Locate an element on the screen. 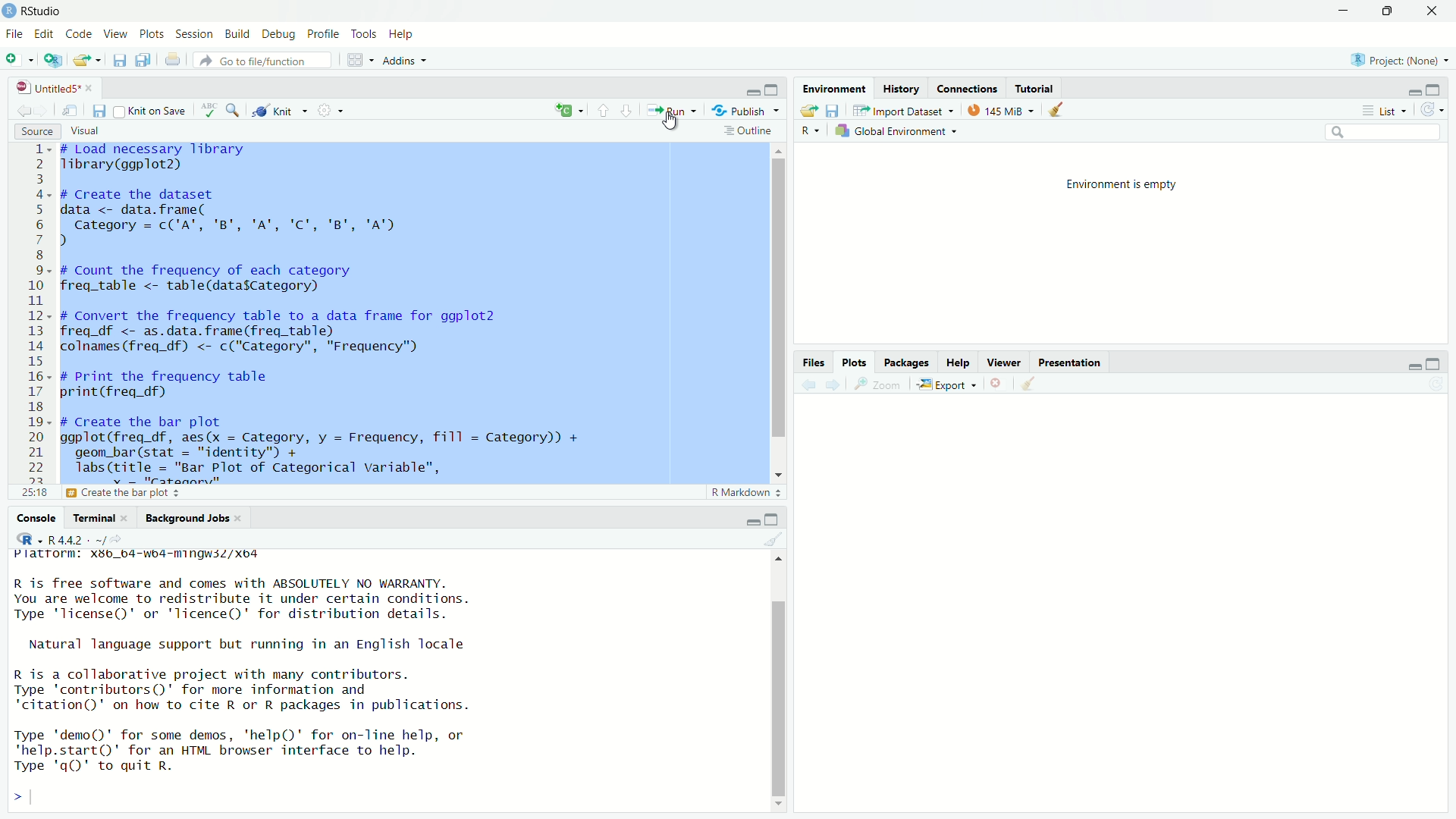 The image size is (1456, 819). icon is located at coordinates (25, 538).